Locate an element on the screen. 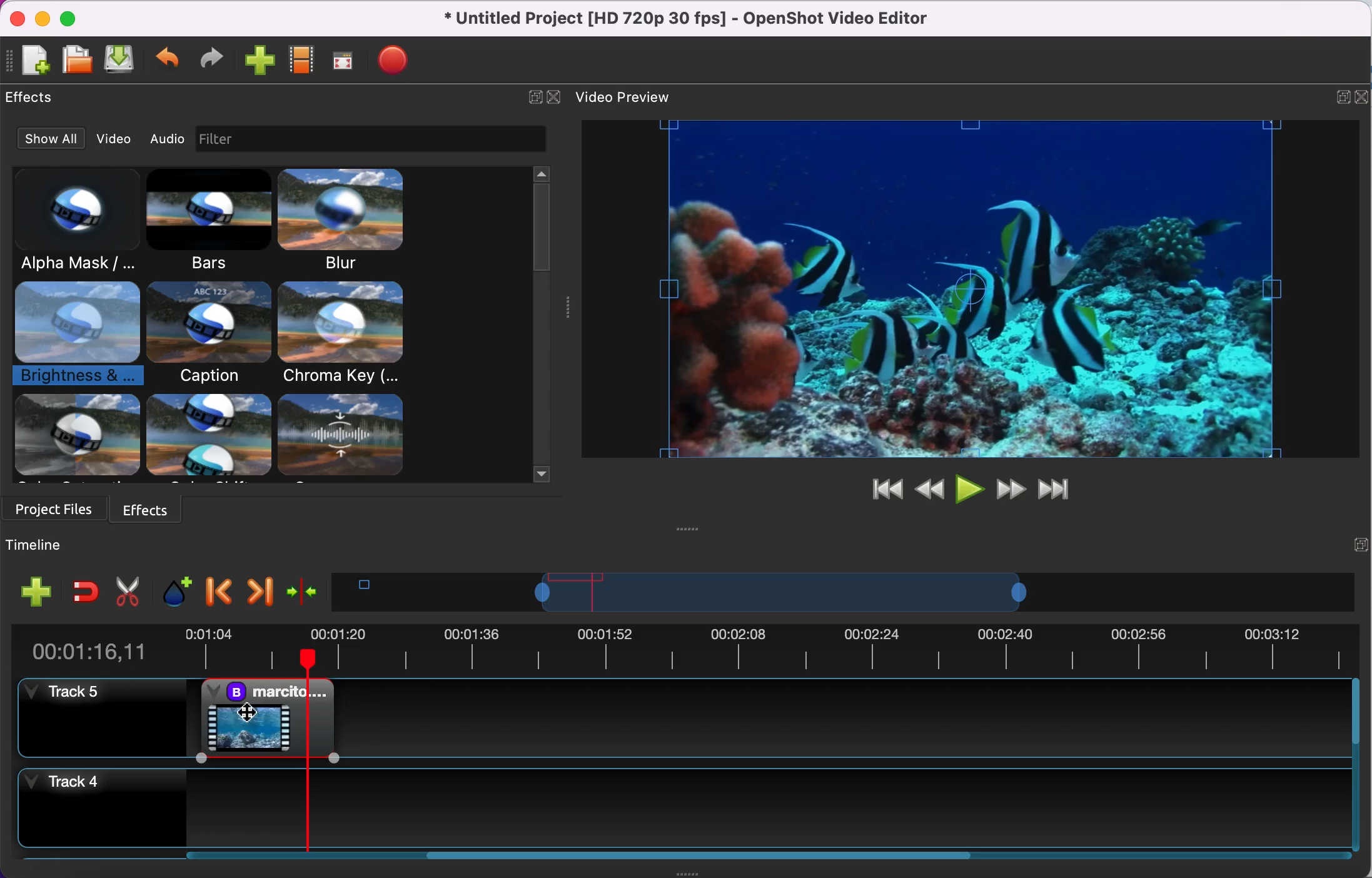 The image size is (1372, 878). video preview is located at coordinates (968, 291).